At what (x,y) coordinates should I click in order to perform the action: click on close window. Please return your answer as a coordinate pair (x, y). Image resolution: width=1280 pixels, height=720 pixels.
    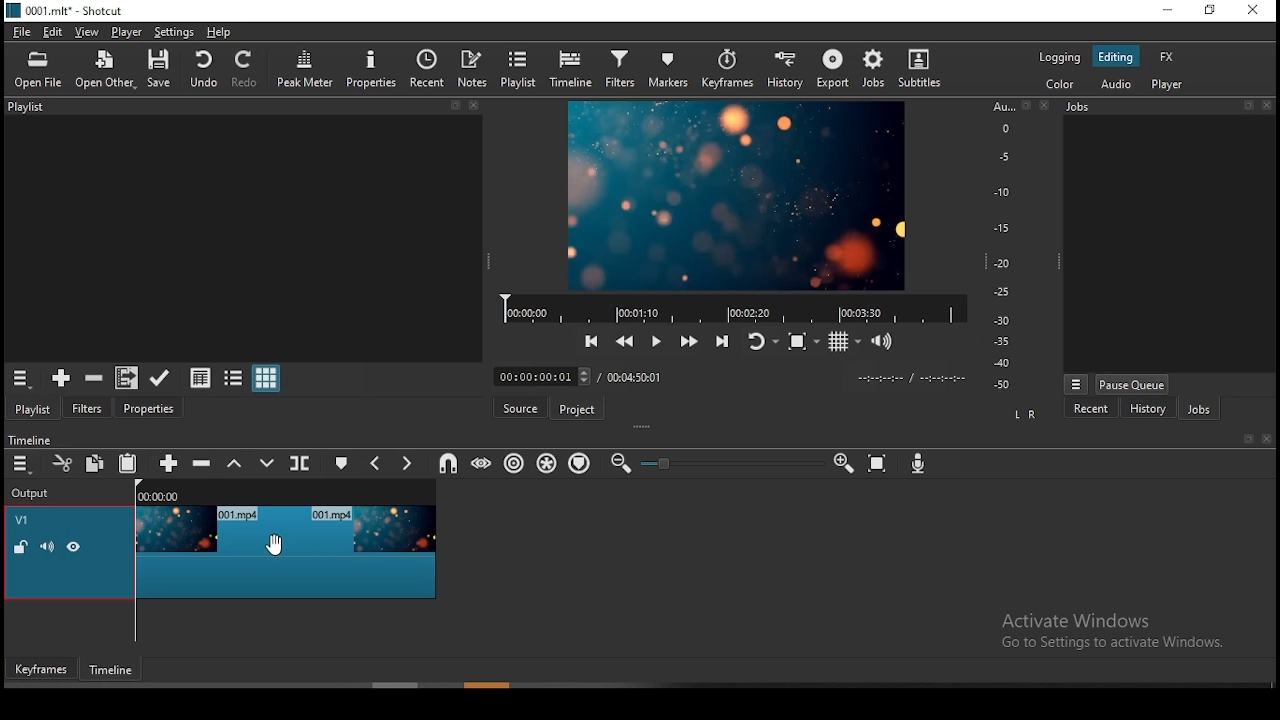
    Looking at the image, I should click on (1252, 11).